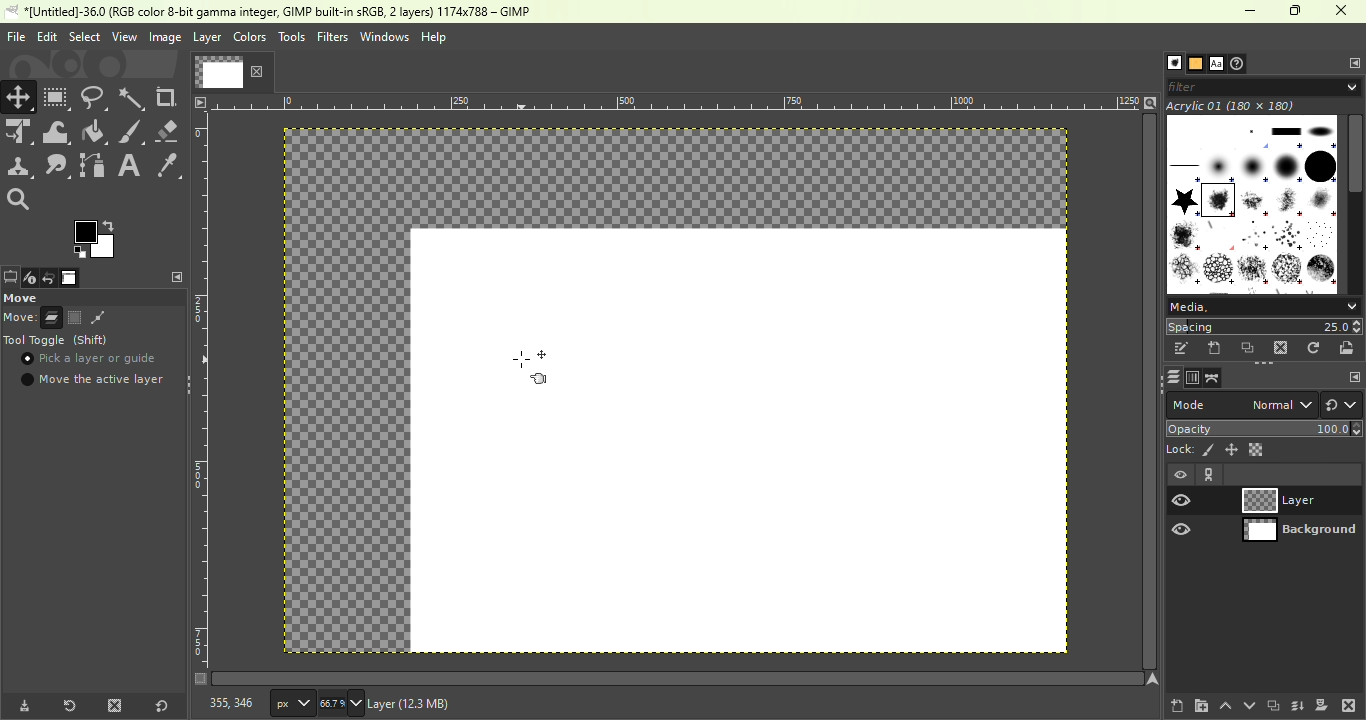  What do you see at coordinates (95, 96) in the screenshot?
I see `Free select tool` at bounding box center [95, 96].